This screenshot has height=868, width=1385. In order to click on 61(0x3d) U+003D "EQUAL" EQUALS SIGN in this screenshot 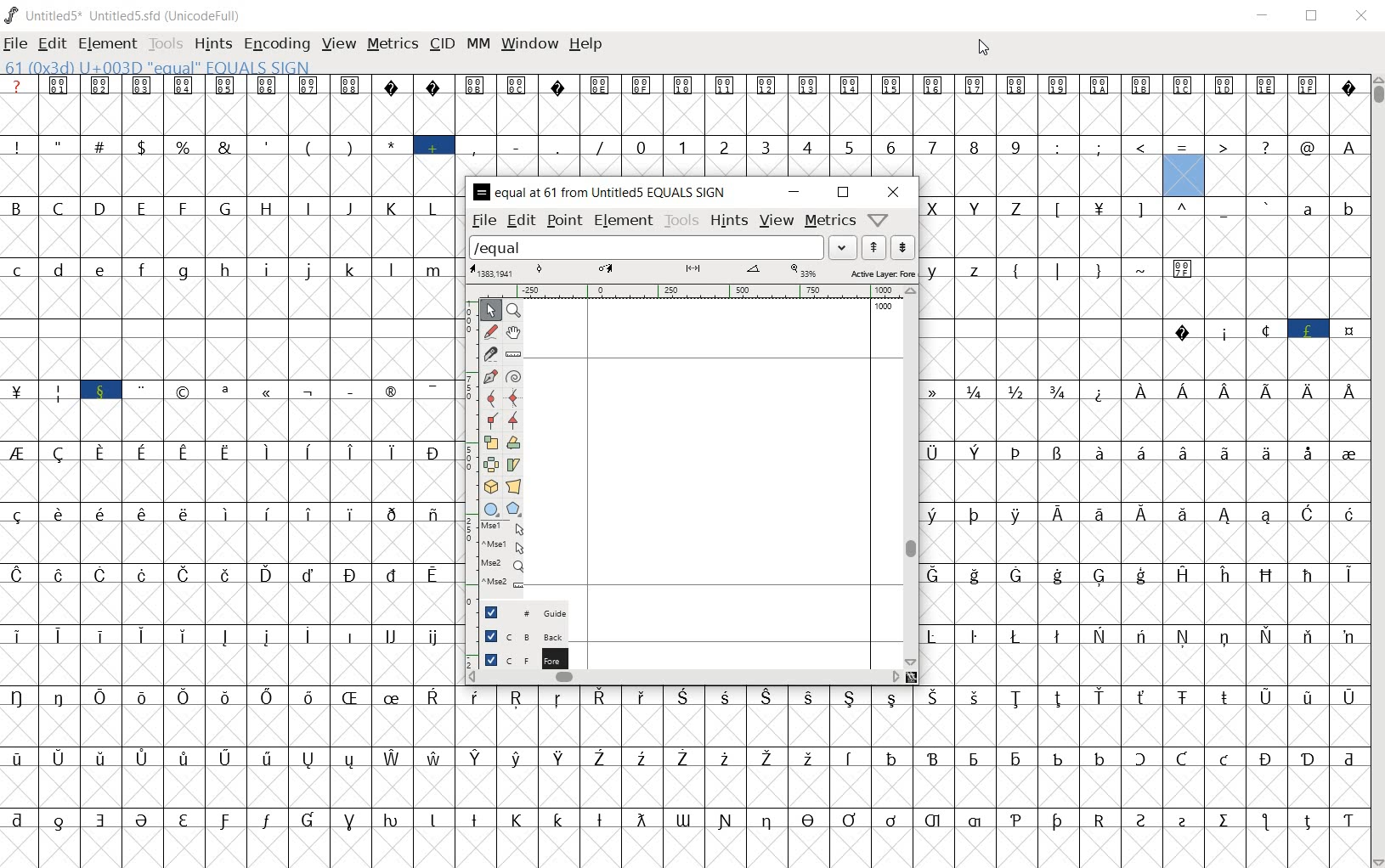, I will do `click(158, 68)`.